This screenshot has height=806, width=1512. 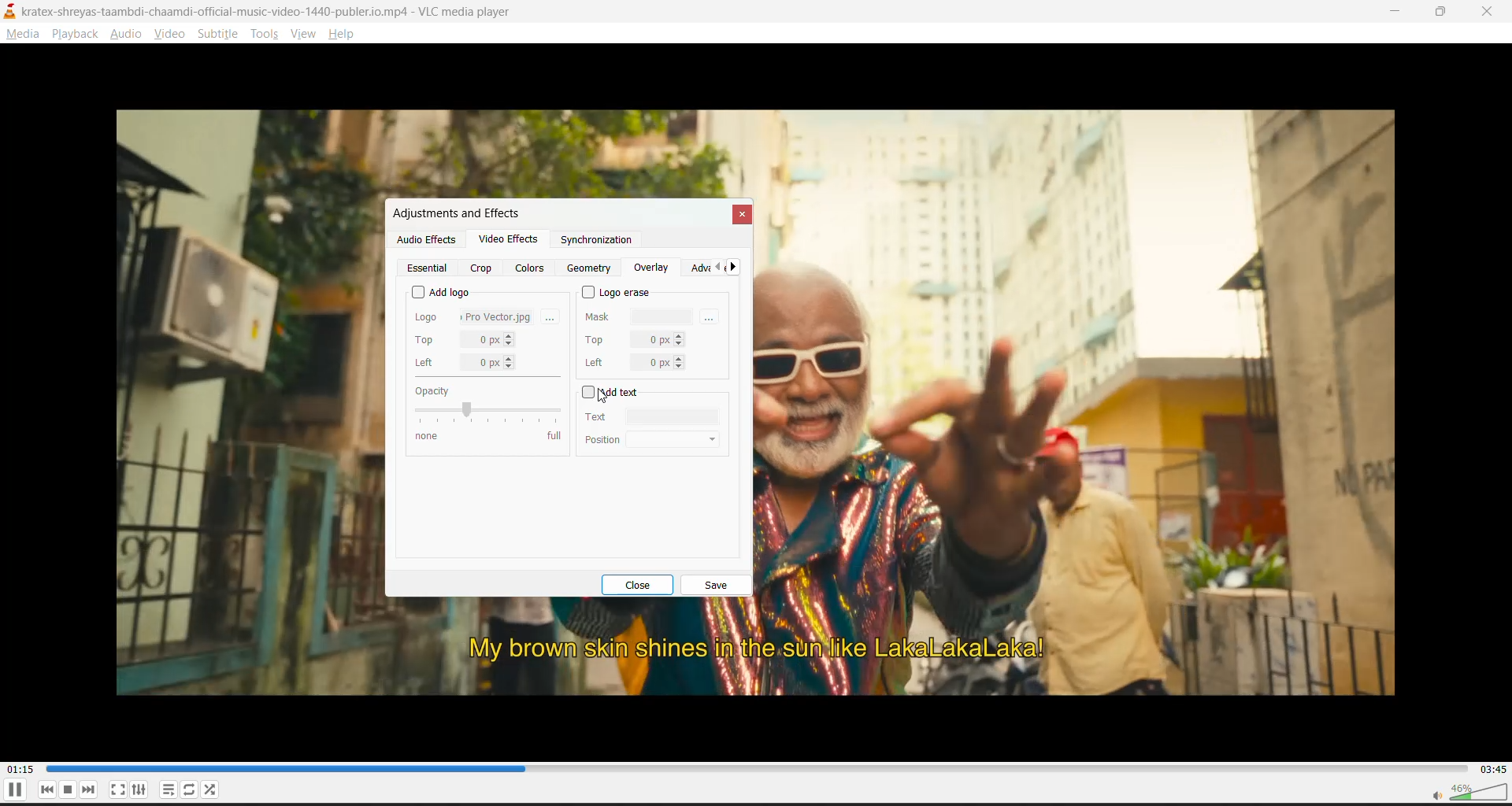 I want to click on total track time, so click(x=1492, y=768).